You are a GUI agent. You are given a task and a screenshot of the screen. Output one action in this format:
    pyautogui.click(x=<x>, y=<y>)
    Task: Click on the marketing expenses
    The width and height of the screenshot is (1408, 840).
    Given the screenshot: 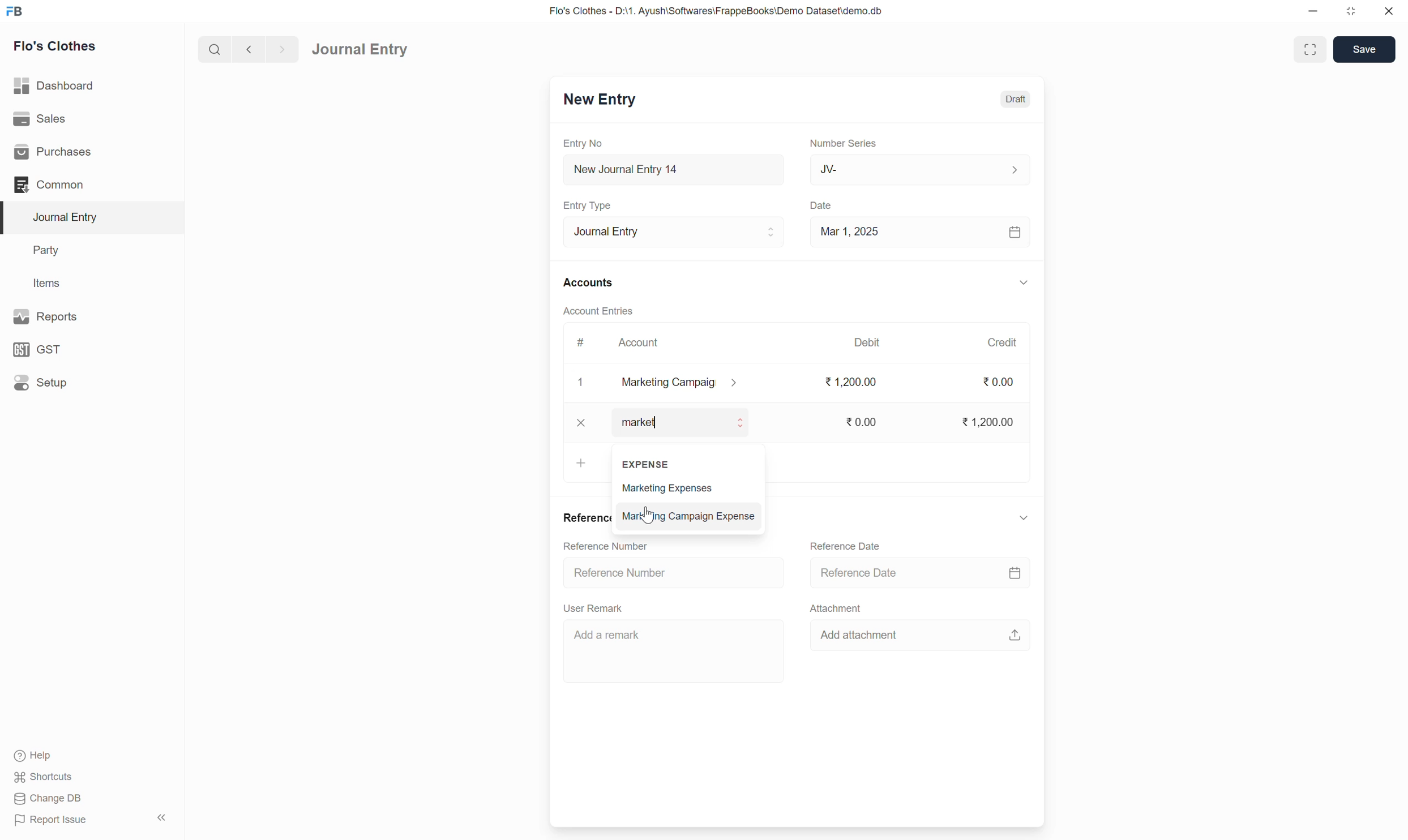 What is the action you would take?
    pyautogui.click(x=683, y=487)
    